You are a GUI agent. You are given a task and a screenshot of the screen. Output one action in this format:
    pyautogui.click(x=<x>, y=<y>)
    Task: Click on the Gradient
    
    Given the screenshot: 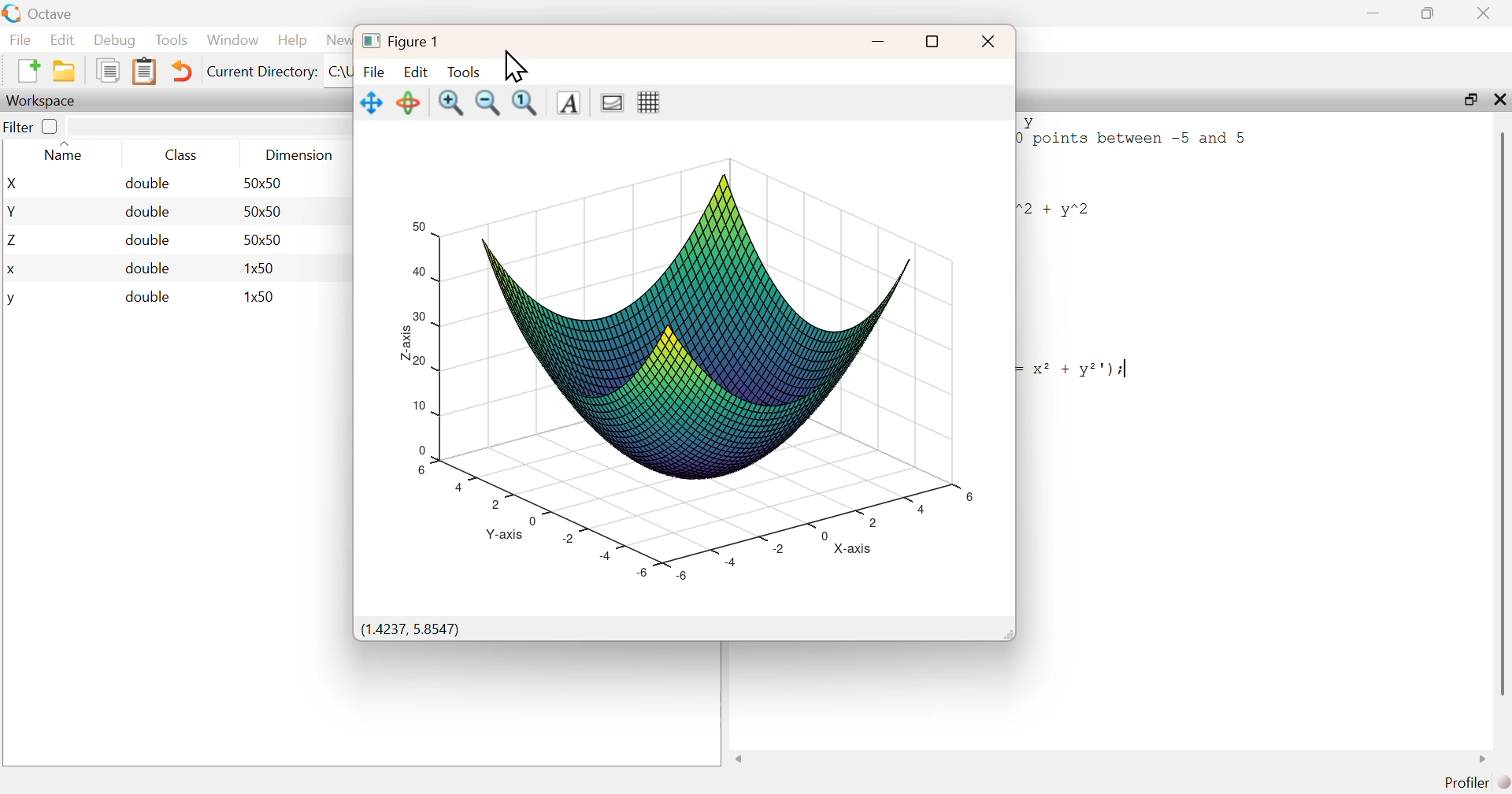 What is the action you would take?
    pyautogui.click(x=614, y=102)
    